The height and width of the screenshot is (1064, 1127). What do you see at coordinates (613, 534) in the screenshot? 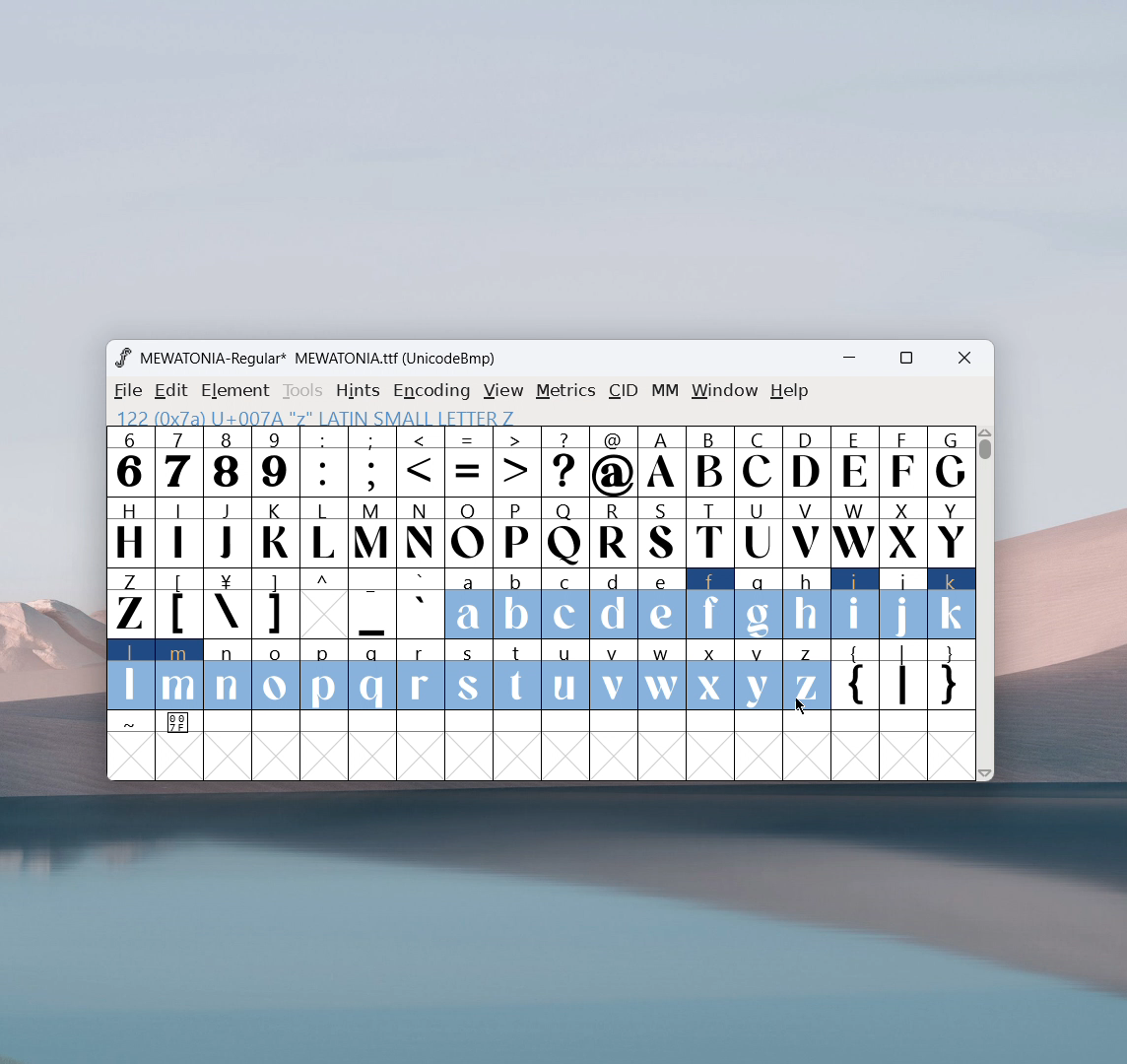
I see `R` at bounding box center [613, 534].